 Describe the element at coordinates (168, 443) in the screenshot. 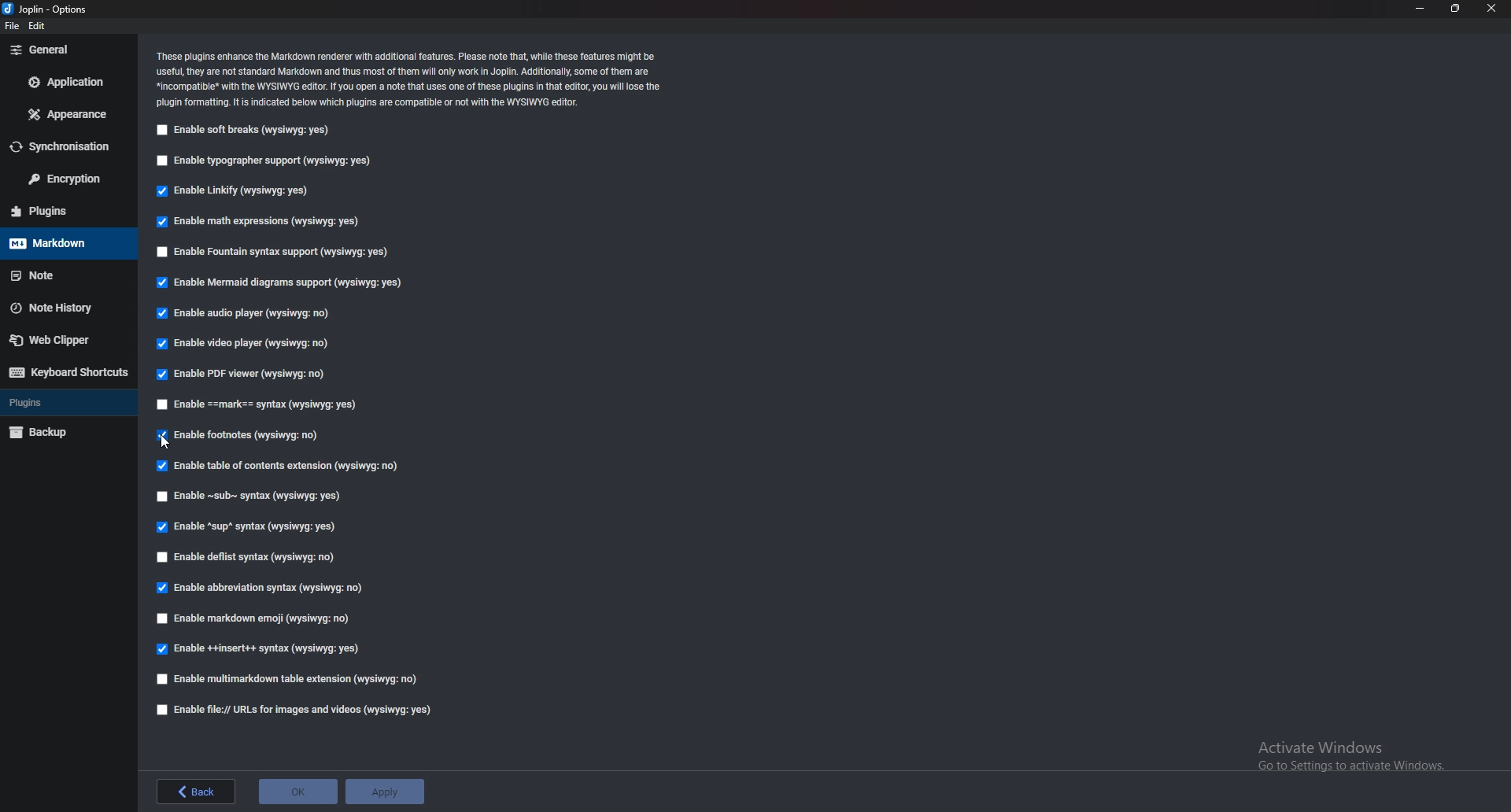

I see `cursor` at that location.